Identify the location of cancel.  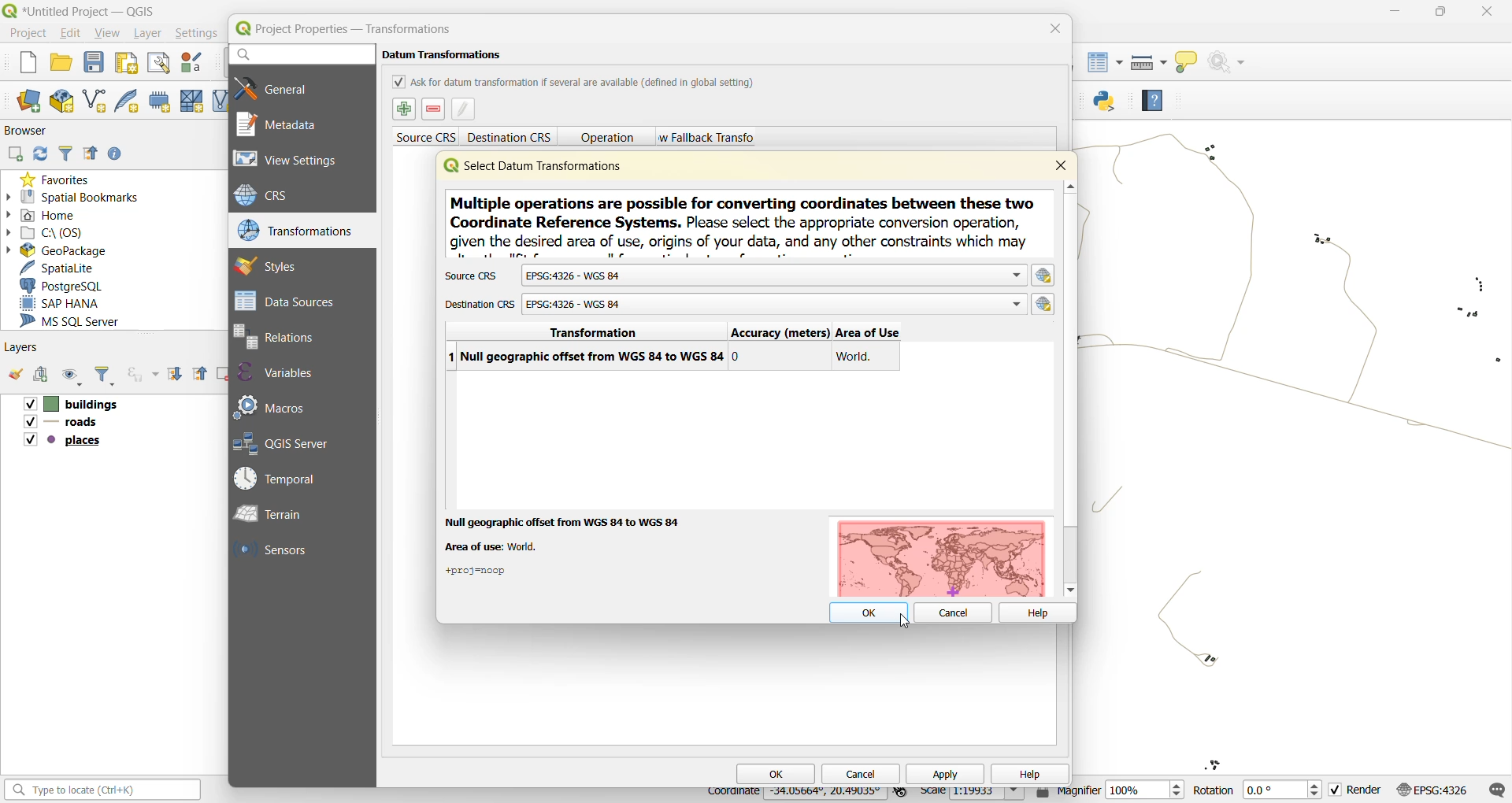
(860, 775).